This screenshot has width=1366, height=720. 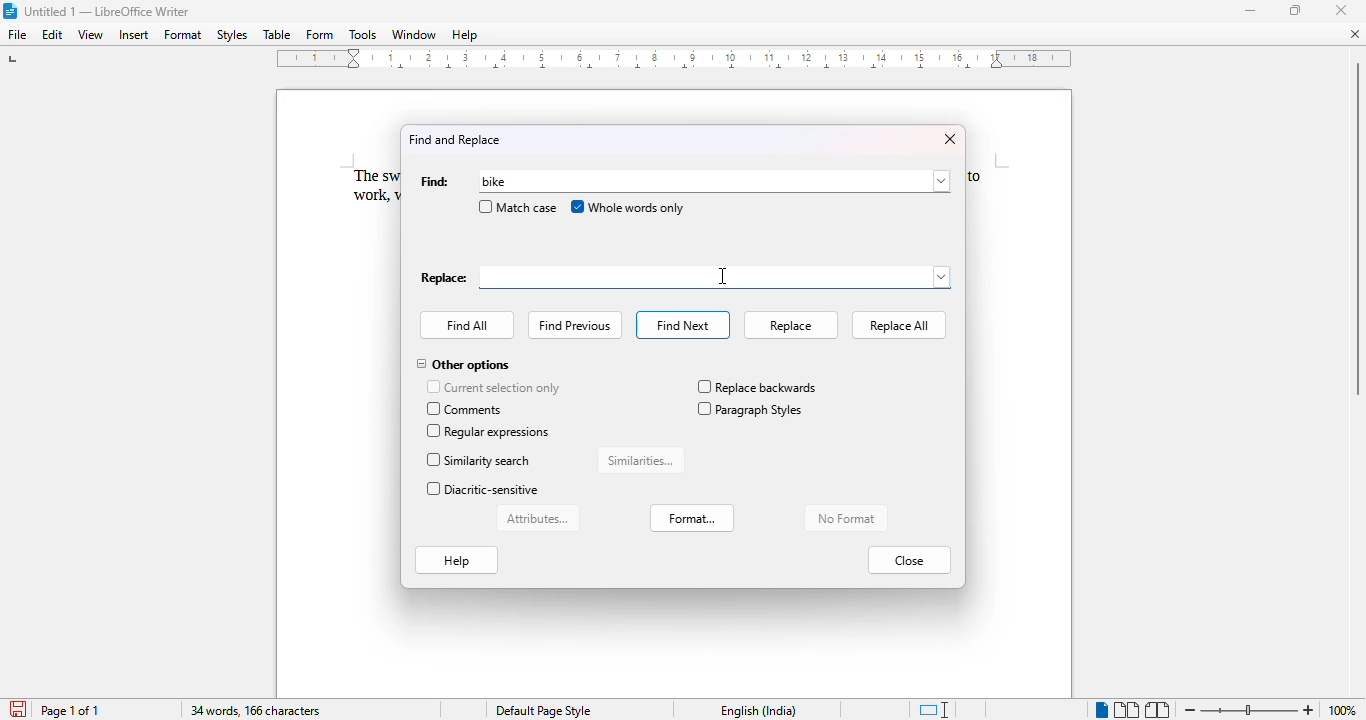 I want to click on maximize, so click(x=1297, y=10).